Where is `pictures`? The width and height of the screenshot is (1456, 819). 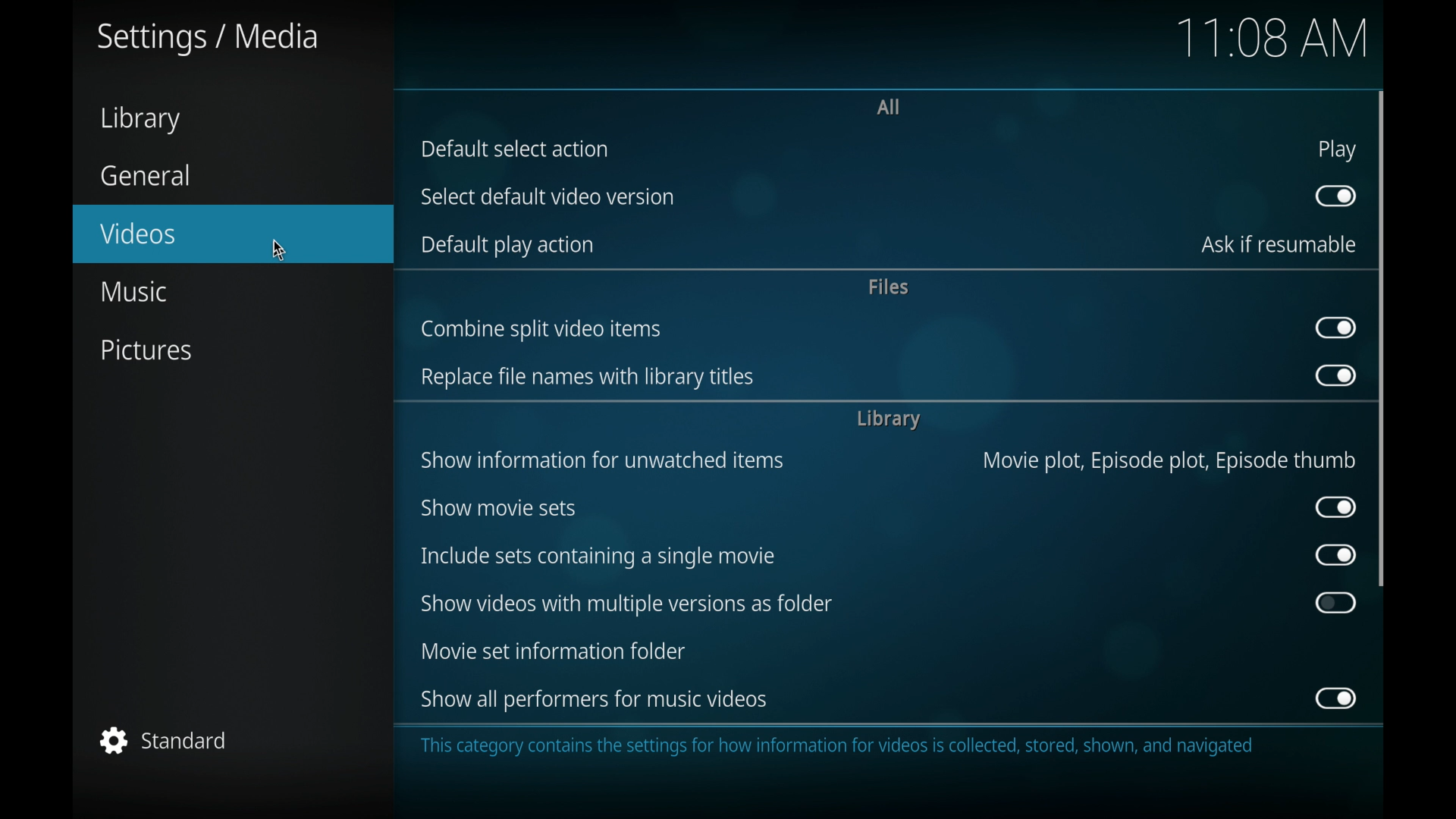
pictures is located at coordinates (145, 350).